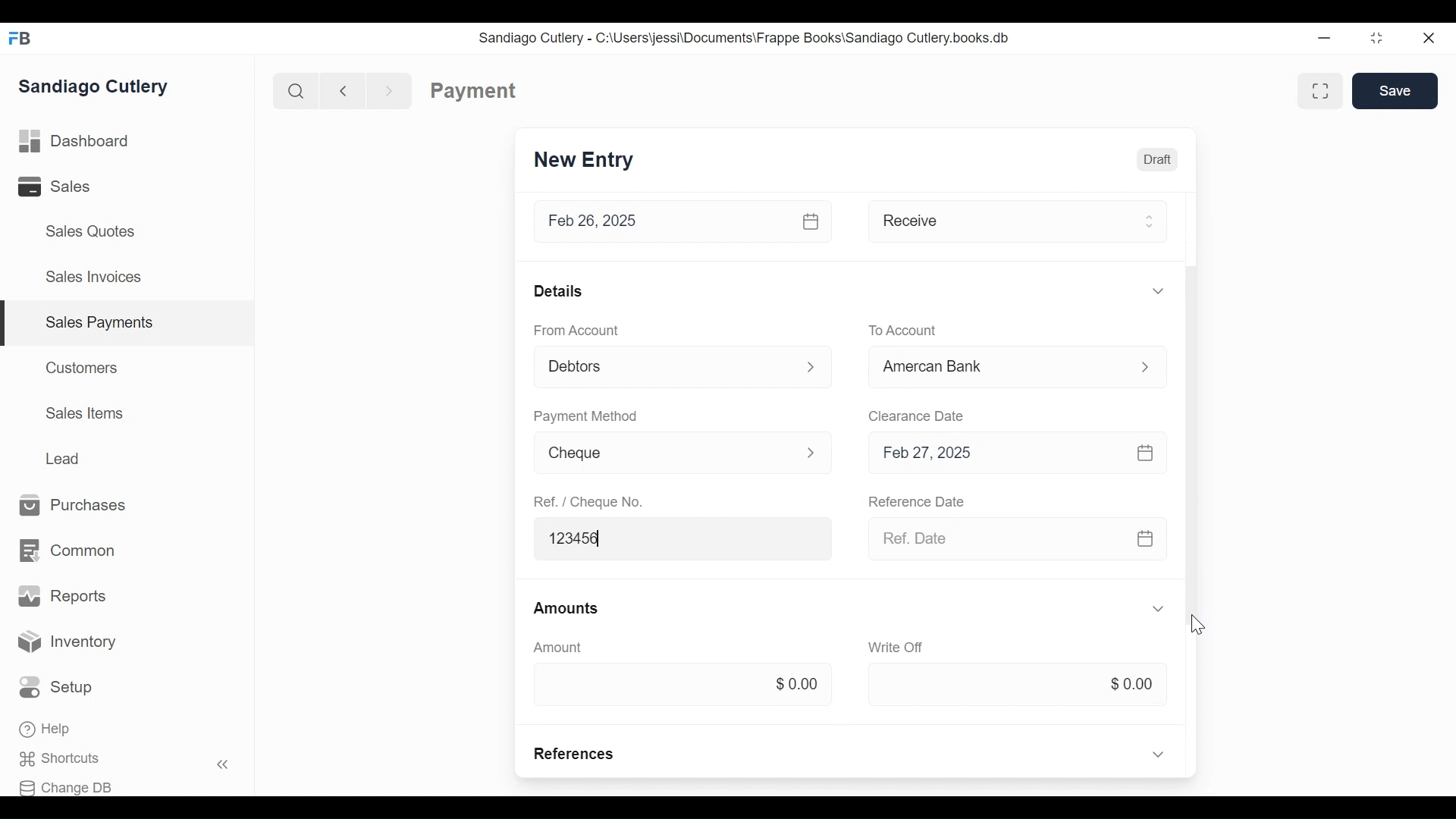 The image size is (1456, 819). I want to click on Draft, so click(1156, 158).